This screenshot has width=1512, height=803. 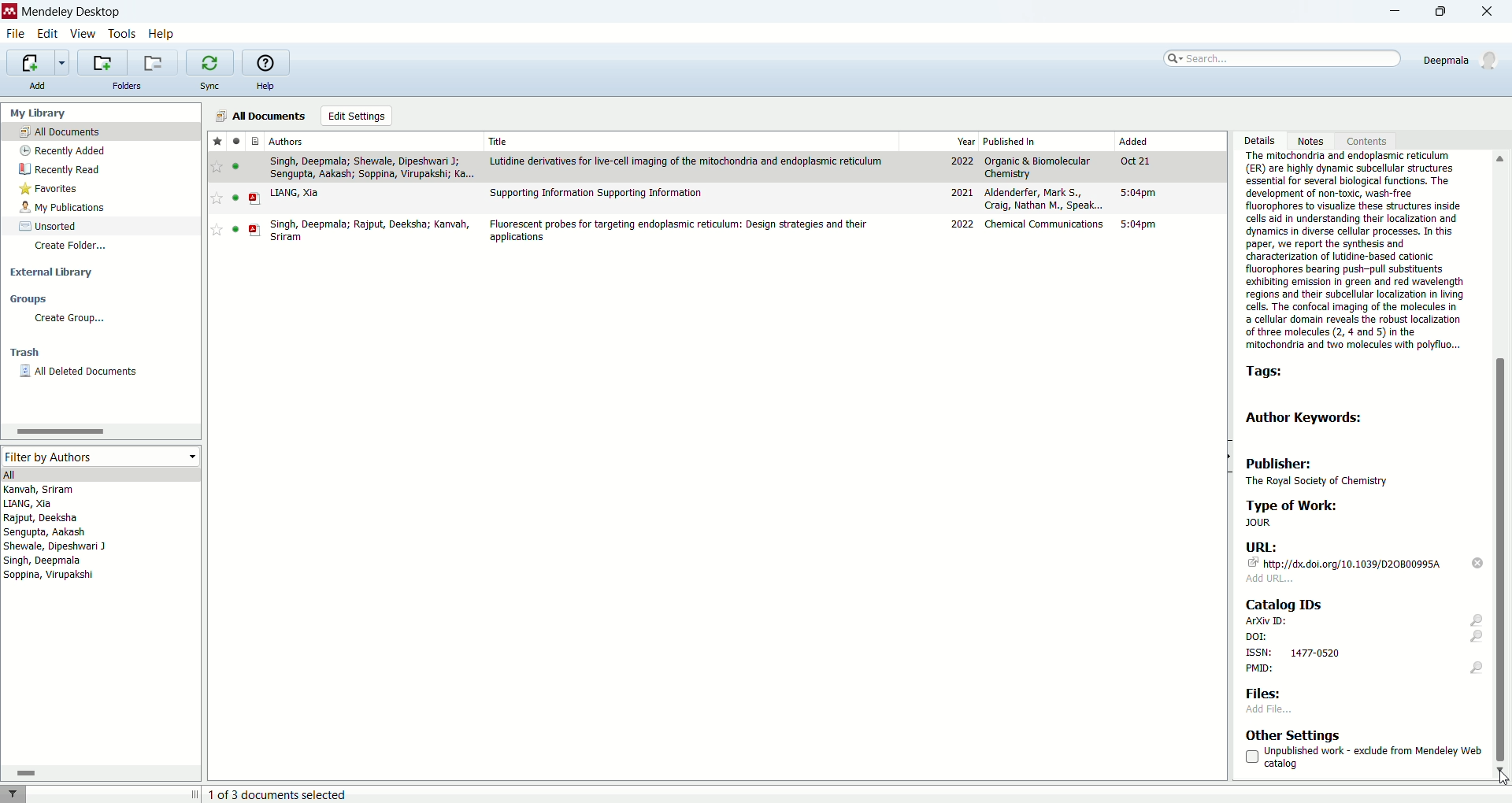 What do you see at coordinates (59, 169) in the screenshot?
I see `recently read` at bounding box center [59, 169].